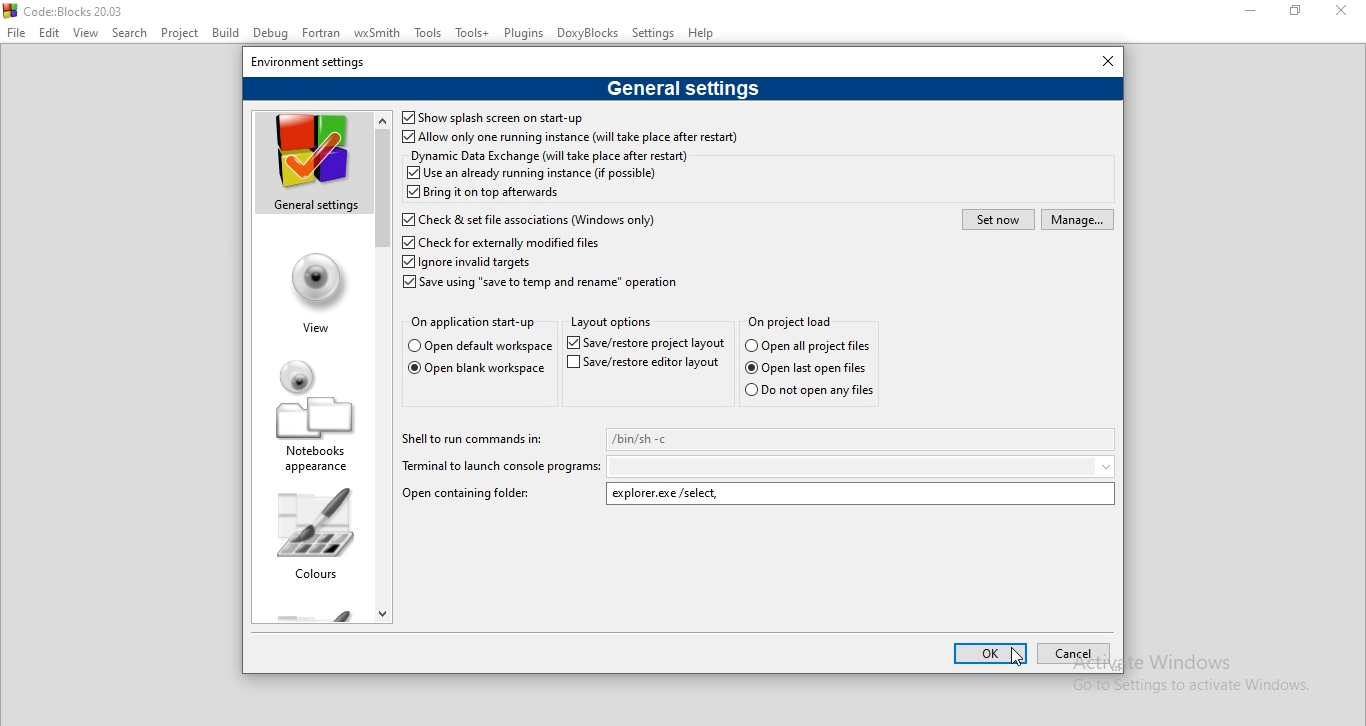 The width and height of the screenshot is (1366, 726). Describe the element at coordinates (808, 391) in the screenshot. I see `Do not open any files` at that location.